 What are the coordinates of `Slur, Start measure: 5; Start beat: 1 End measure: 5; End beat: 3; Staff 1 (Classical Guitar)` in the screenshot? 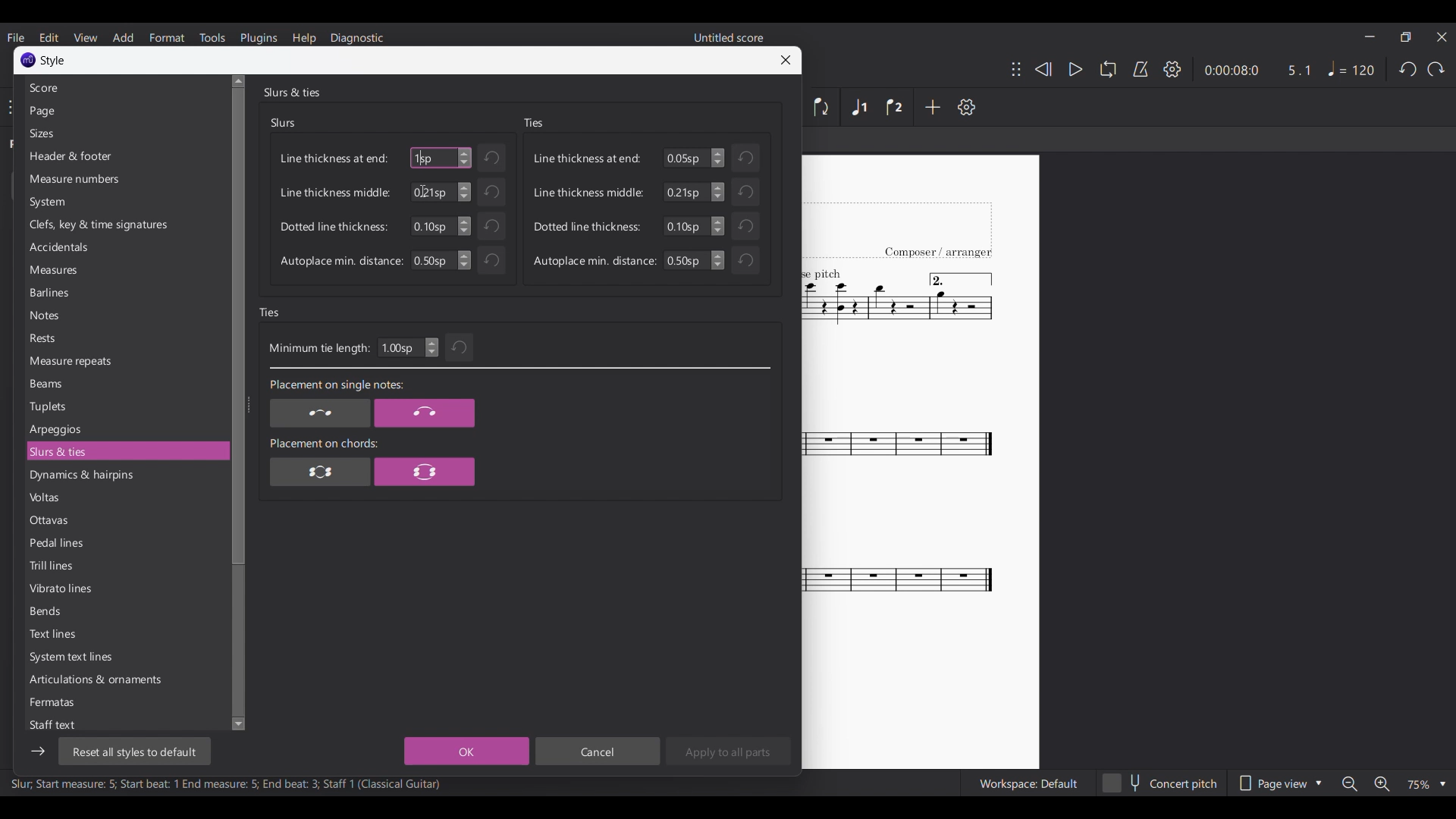 It's located at (226, 786).